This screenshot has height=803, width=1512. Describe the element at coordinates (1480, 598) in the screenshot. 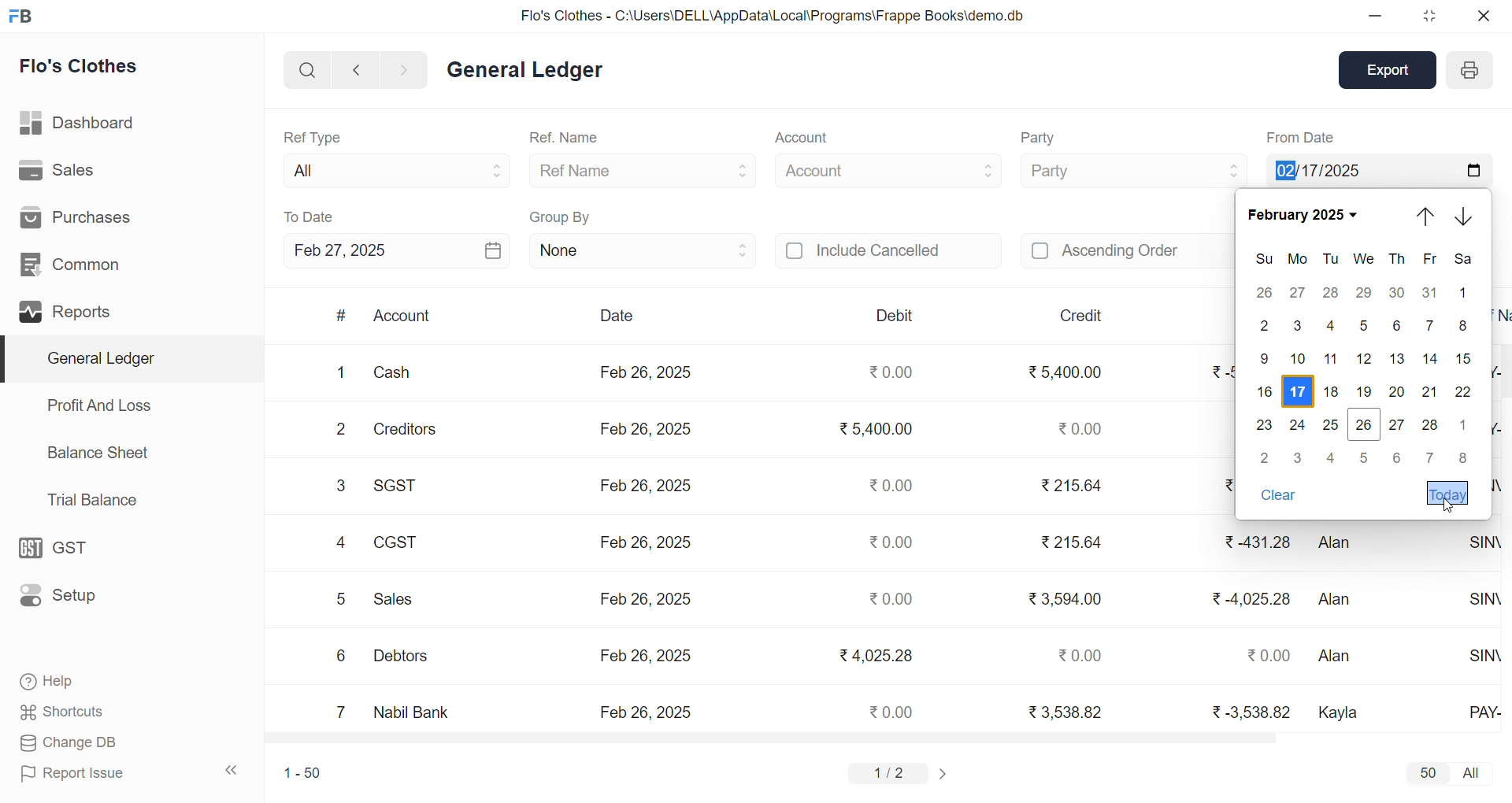

I see `SINV-` at that location.